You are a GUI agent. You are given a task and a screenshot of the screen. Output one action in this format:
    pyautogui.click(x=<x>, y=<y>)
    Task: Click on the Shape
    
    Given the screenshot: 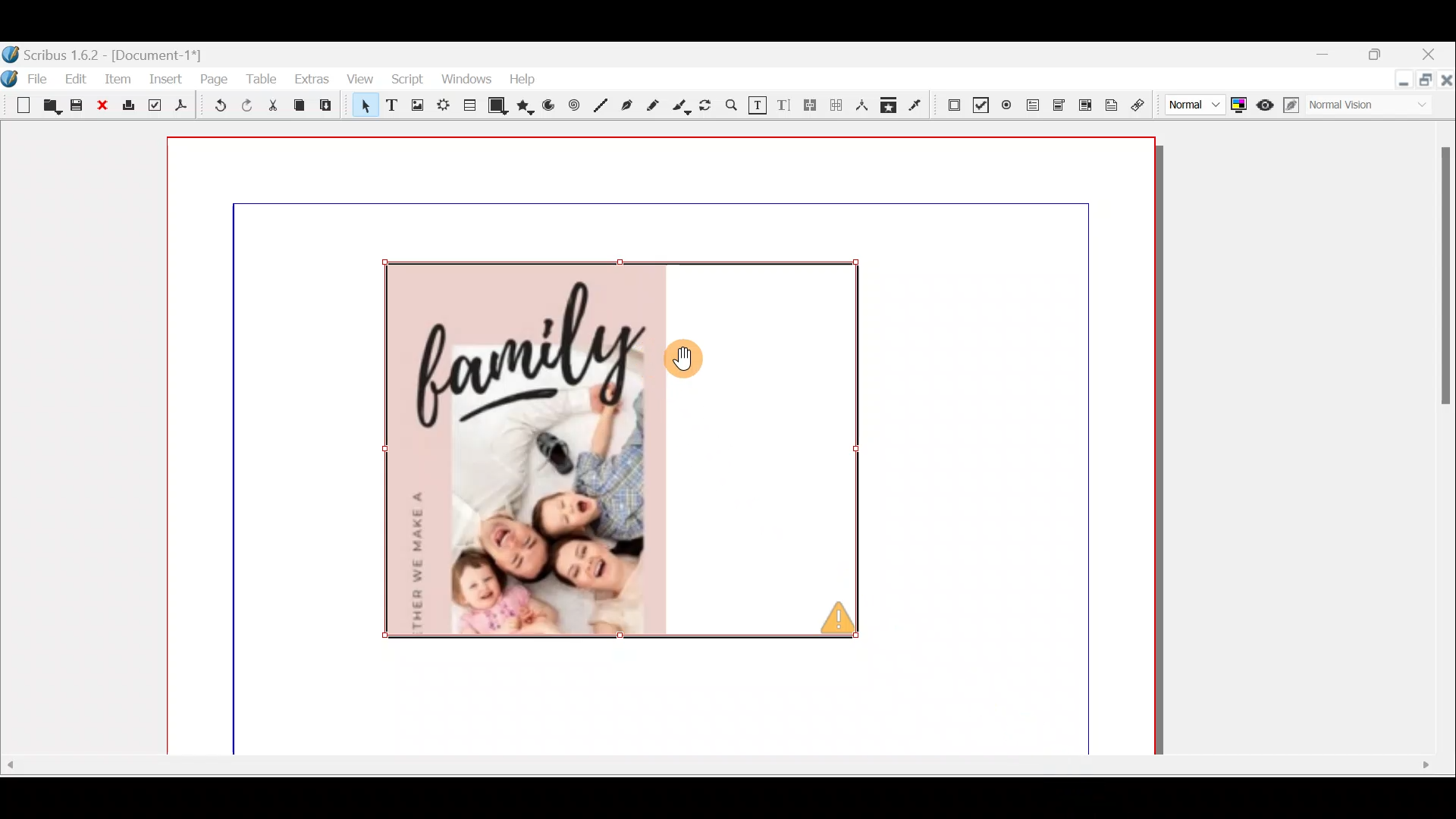 What is the action you would take?
    pyautogui.click(x=495, y=105)
    